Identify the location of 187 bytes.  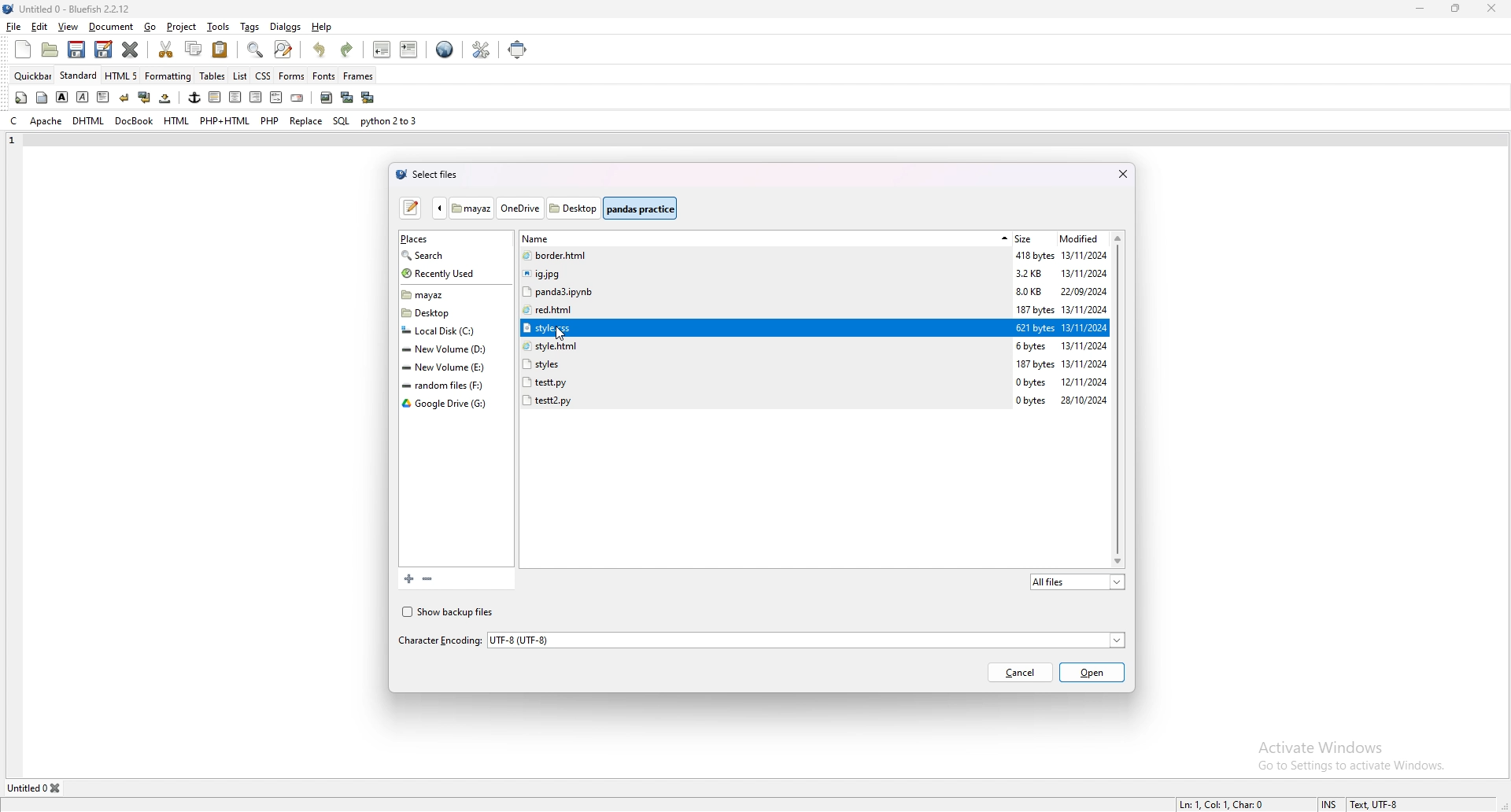
(1036, 365).